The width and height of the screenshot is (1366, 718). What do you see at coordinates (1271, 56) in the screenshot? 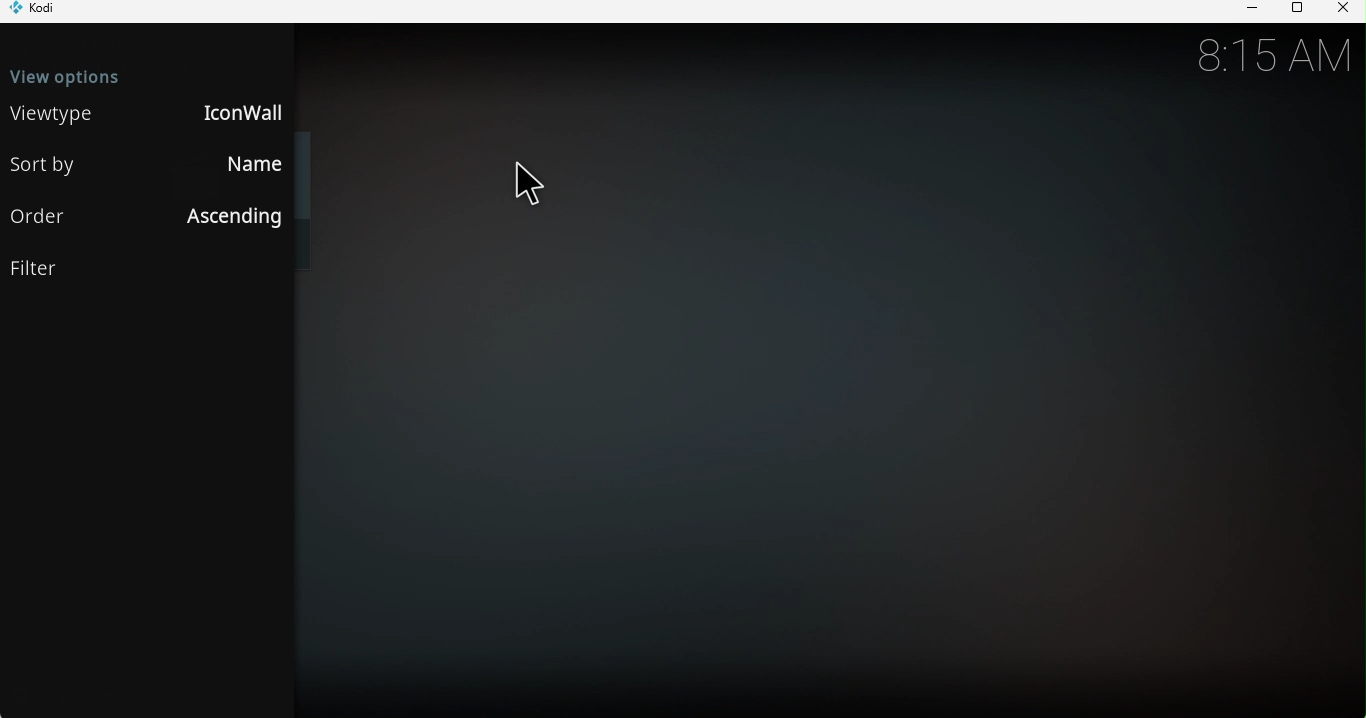
I see `8:15 am` at bounding box center [1271, 56].